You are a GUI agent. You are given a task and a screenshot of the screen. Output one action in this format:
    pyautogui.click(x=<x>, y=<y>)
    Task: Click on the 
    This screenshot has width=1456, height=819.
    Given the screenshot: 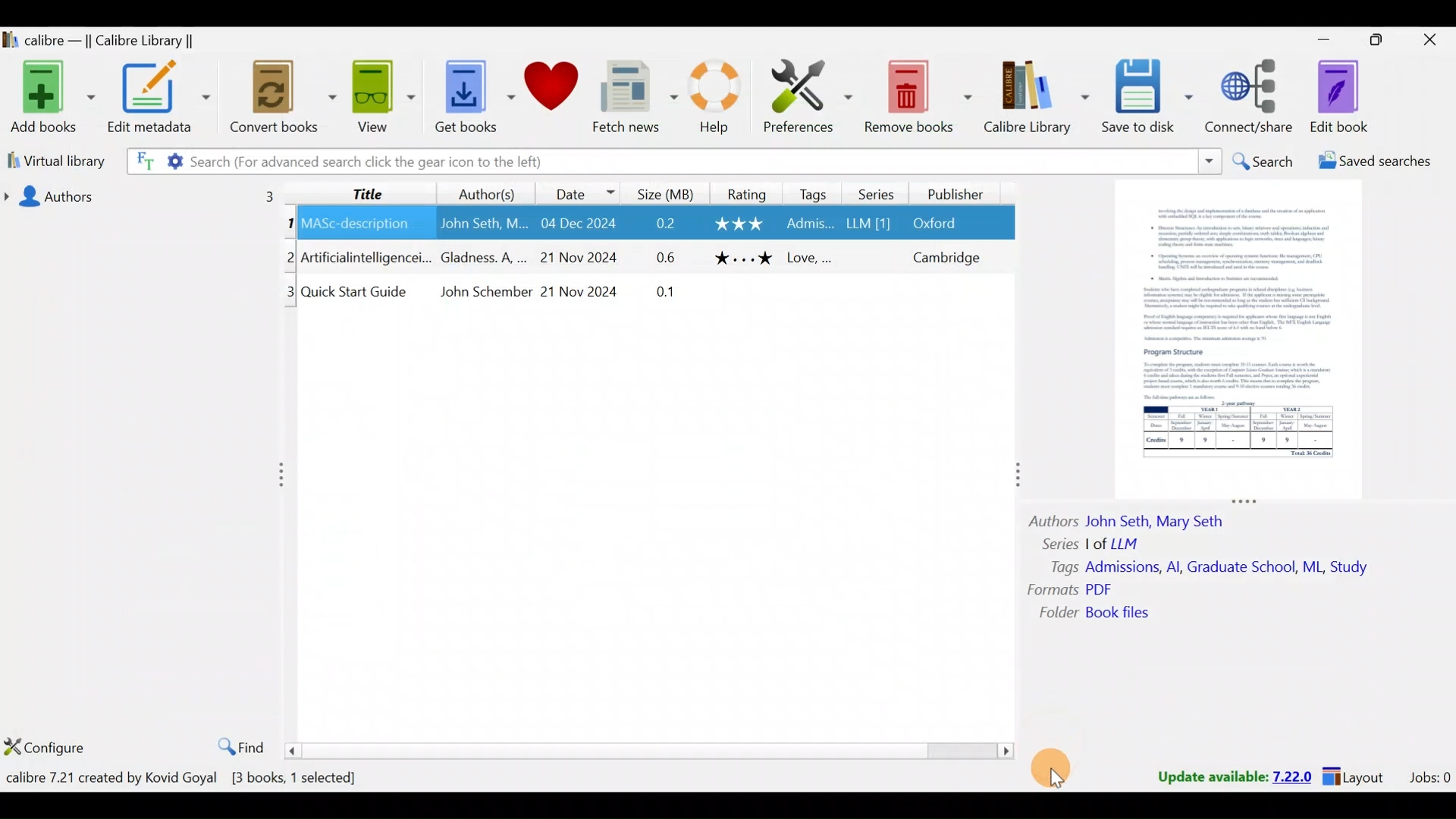 What is the action you would take?
    pyautogui.click(x=587, y=224)
    